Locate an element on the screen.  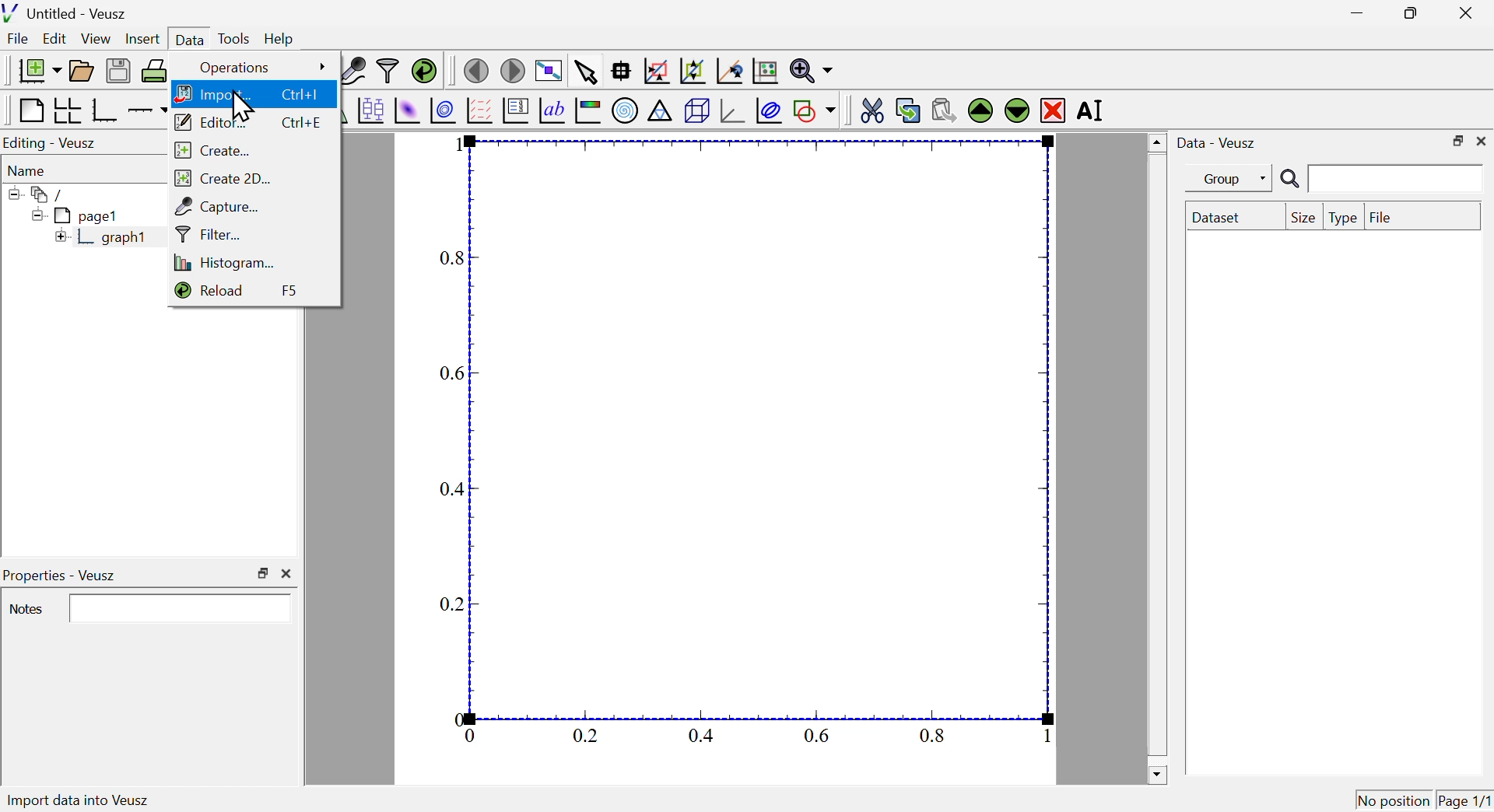
plot key is located at coordinates (516, 113).